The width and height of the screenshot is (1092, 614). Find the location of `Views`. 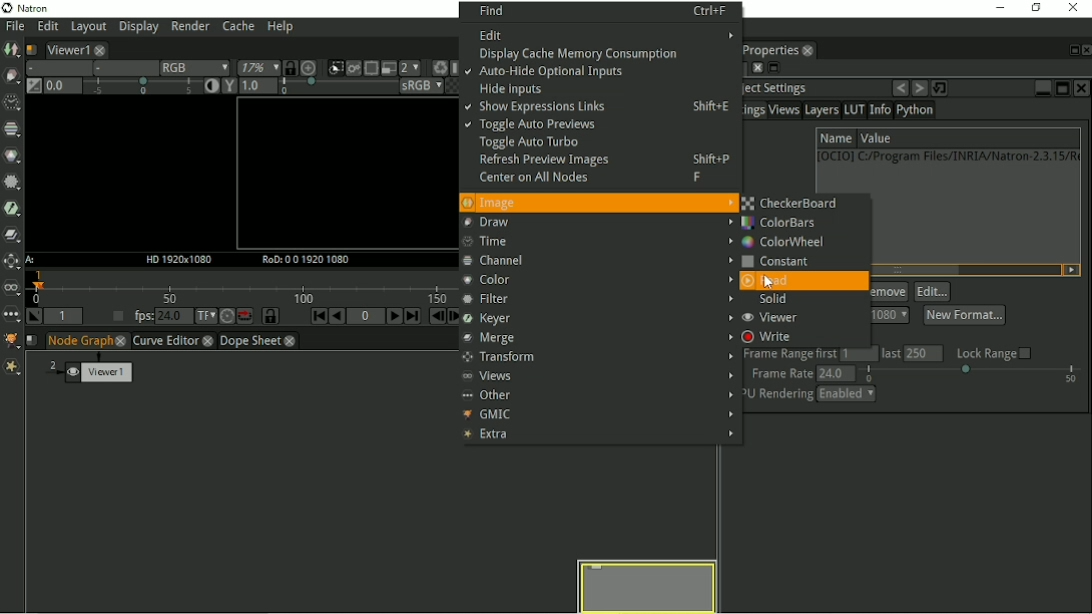

Views is located at coordinates (785, 112).